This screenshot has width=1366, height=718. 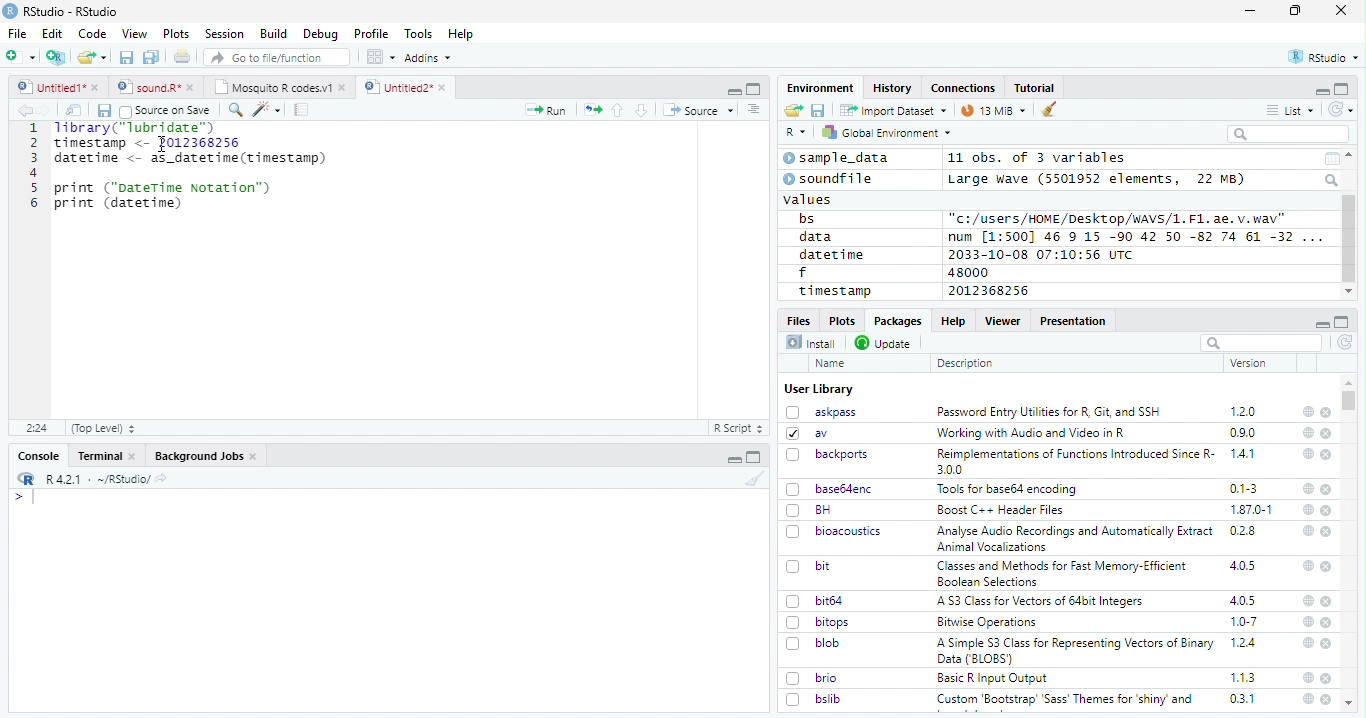 I want to click on Untitled2*, so click(x=409, y=88).